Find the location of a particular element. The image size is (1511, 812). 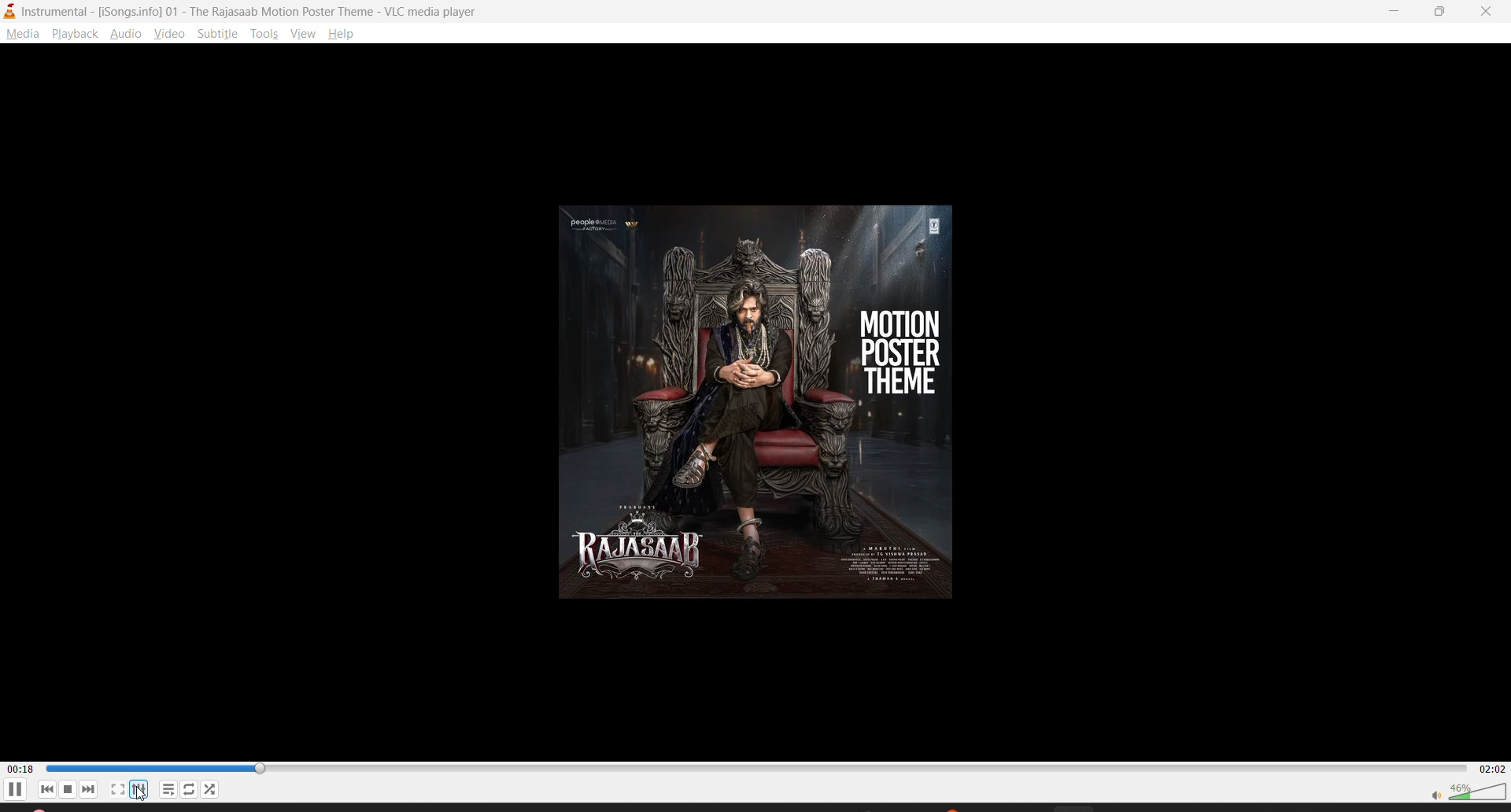

total track time is located at coordinates (1489, 767).